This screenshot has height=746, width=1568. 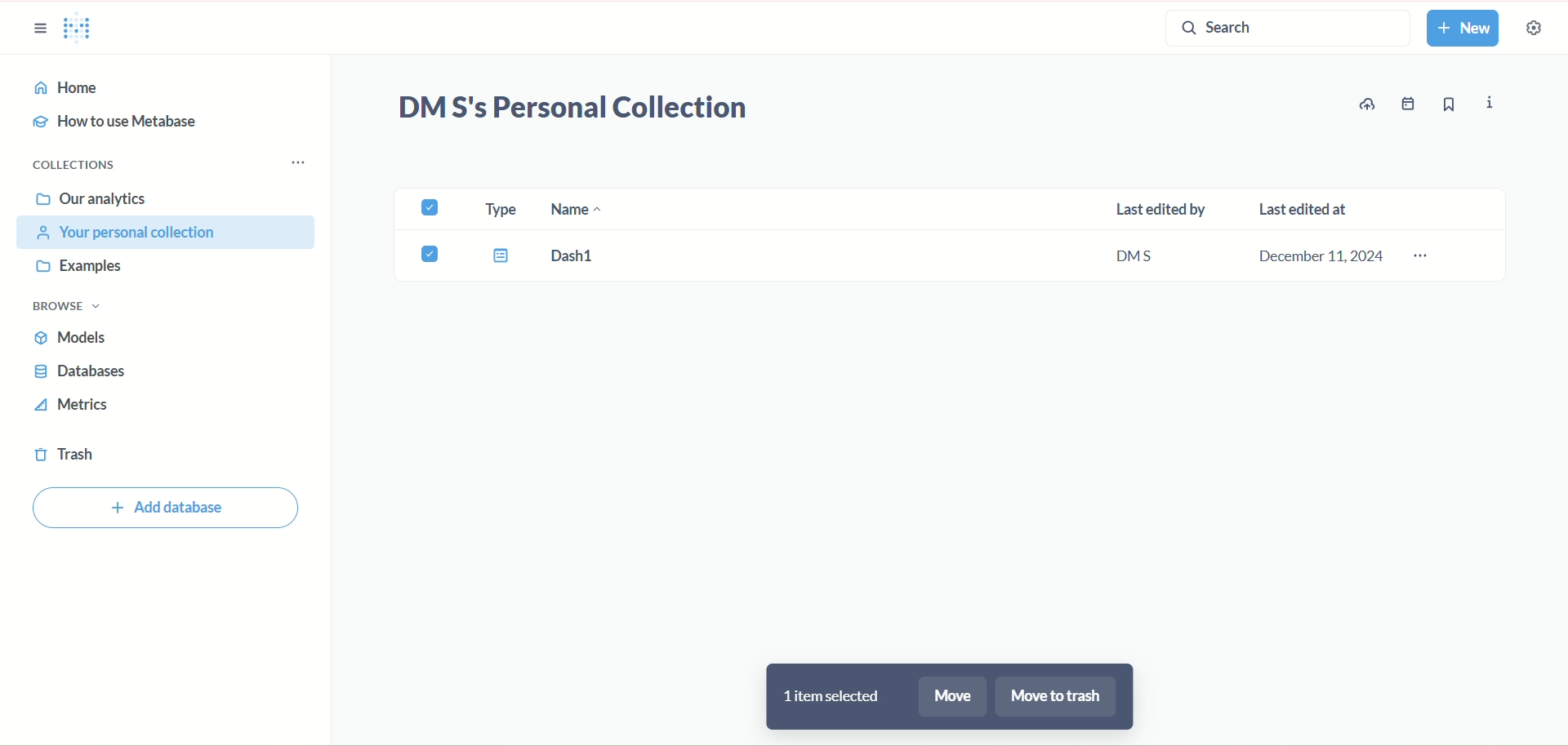 What do you see at coordinates (1059, 695) in the screenshot?
I see `move to trash` at bounding box center [1059, 695].